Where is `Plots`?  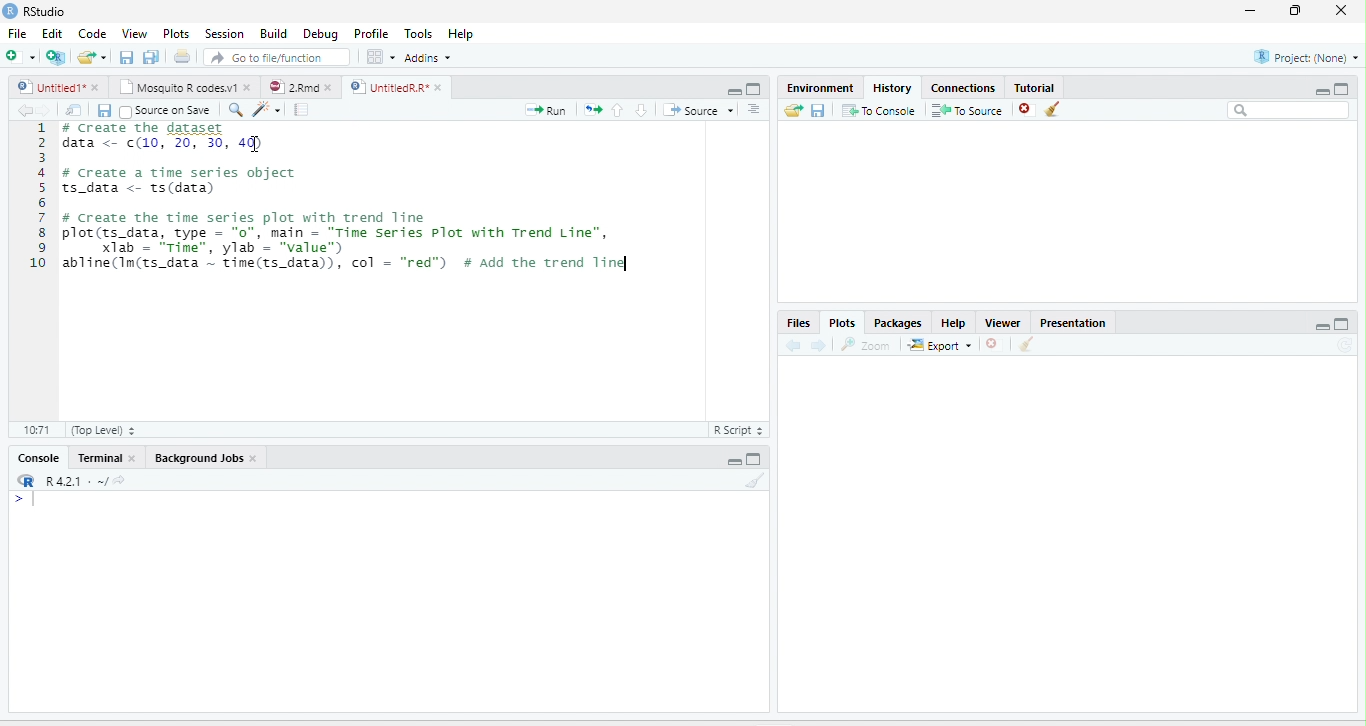
Plots is located at coordinates (176, 33).